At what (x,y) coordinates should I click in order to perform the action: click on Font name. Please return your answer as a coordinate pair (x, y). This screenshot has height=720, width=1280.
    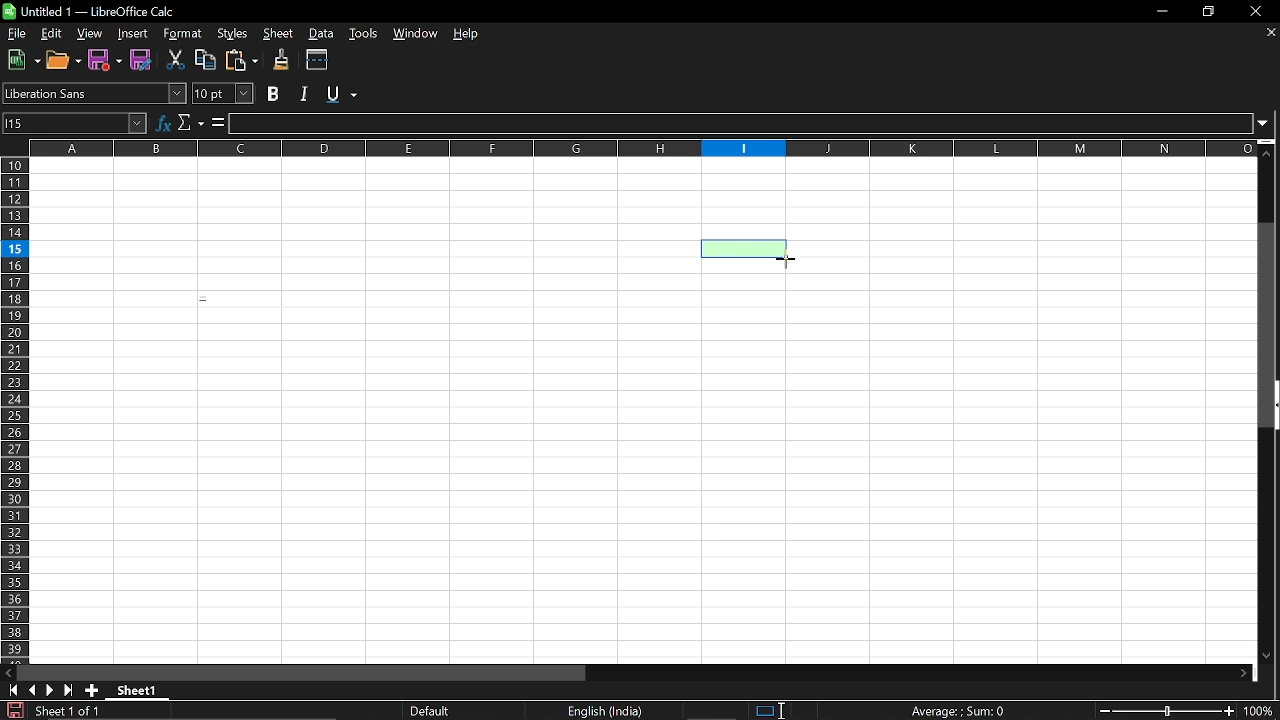
    Looking at the image, I should click on (94, 92).